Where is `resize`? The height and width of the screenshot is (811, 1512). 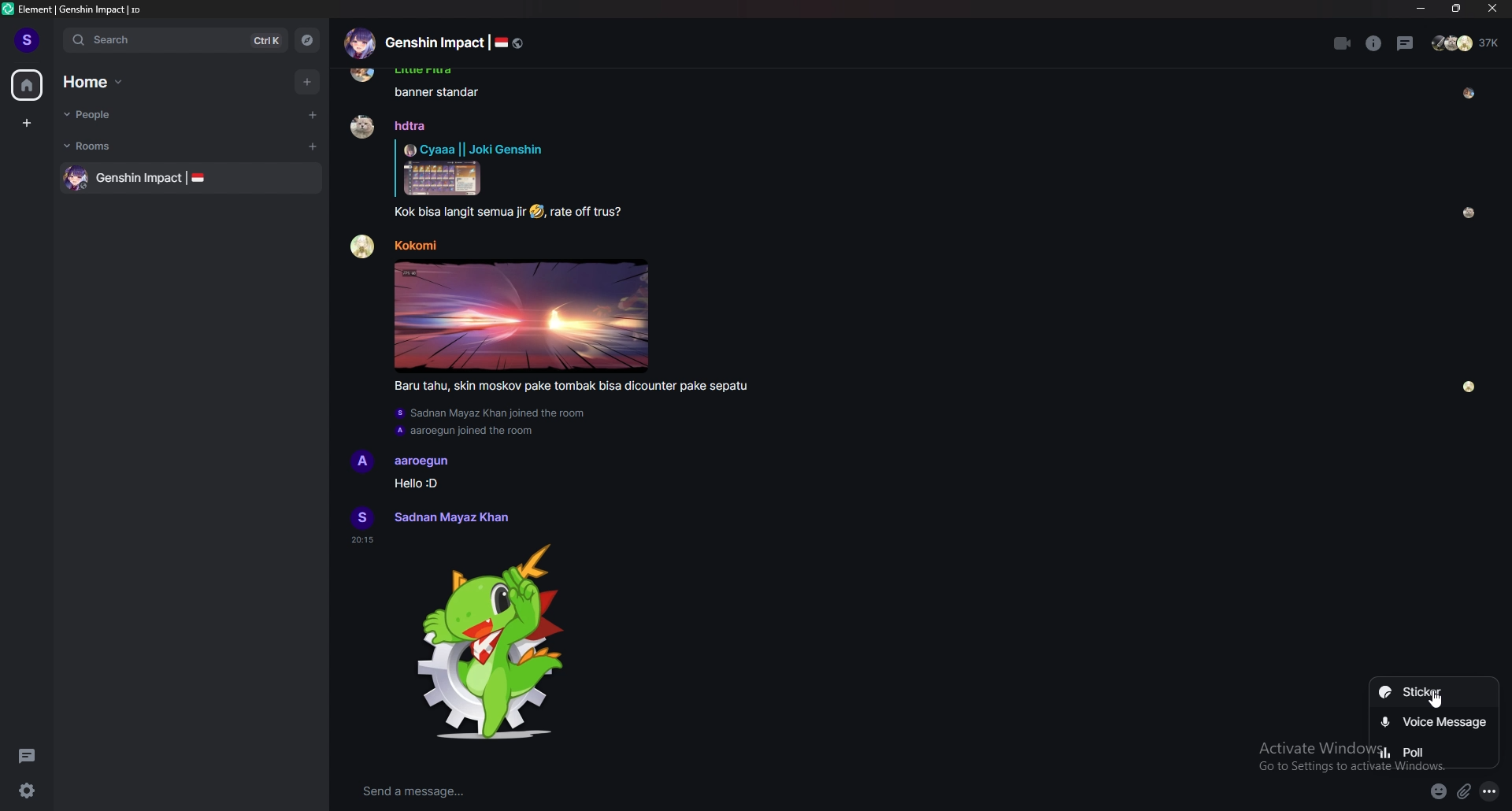
resize is located at coordinates (1456, 9).